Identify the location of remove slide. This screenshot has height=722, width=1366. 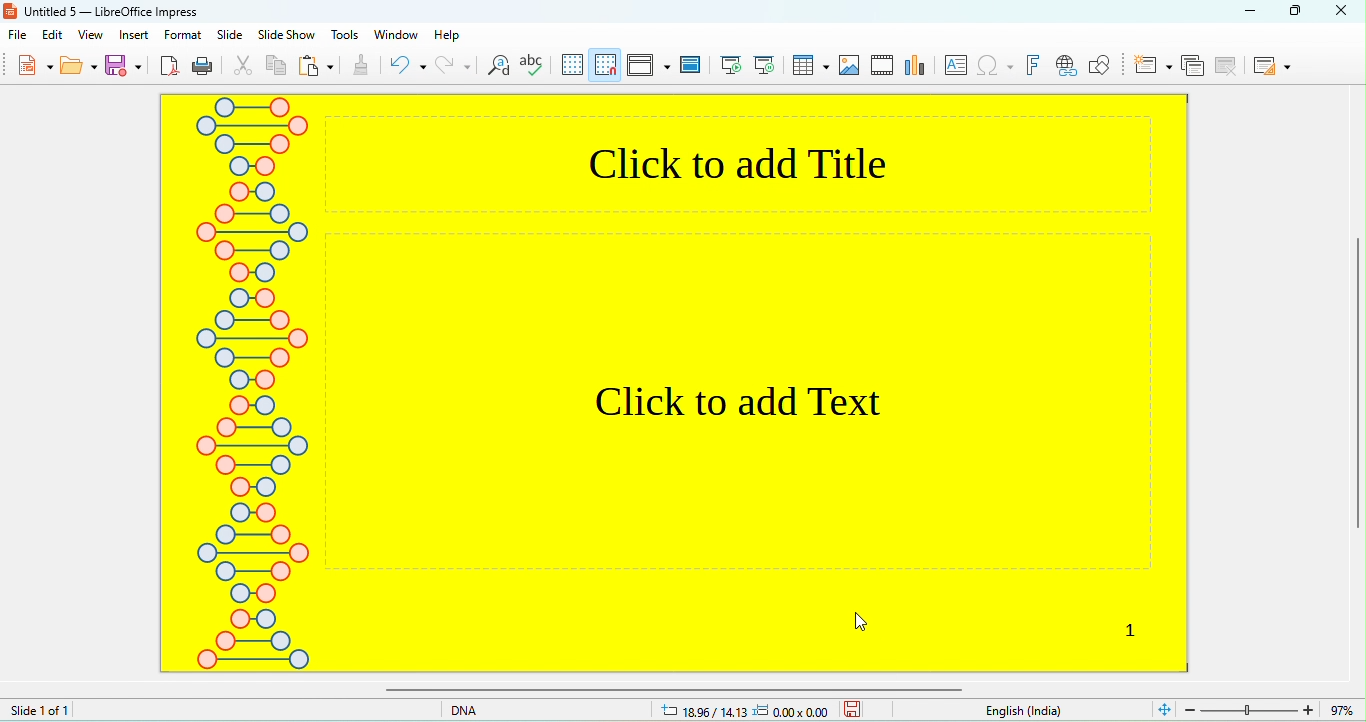
(1229, 65).